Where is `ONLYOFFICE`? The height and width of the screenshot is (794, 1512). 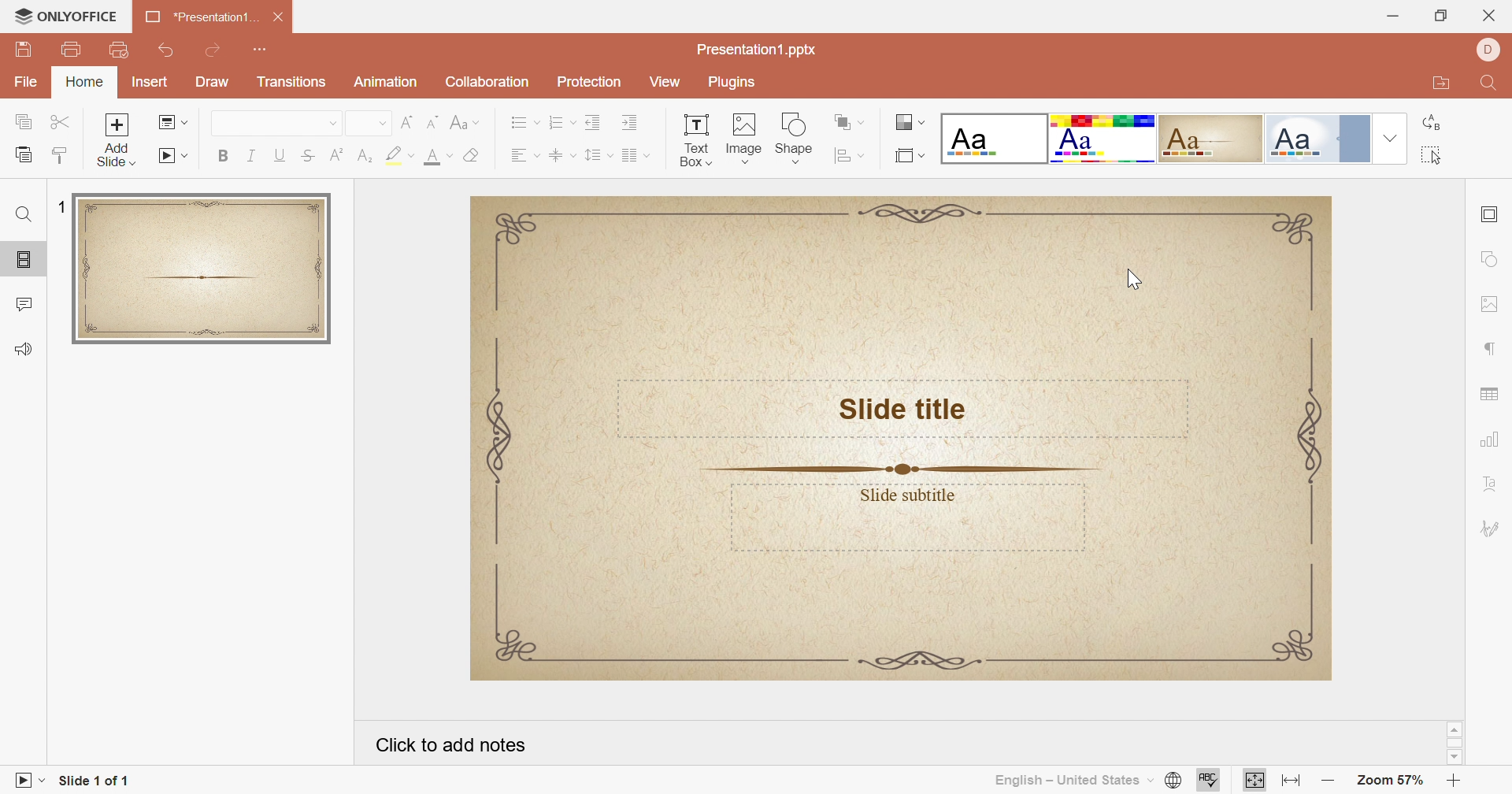 ONLYOFFICE is located at coordinates (61, 16).